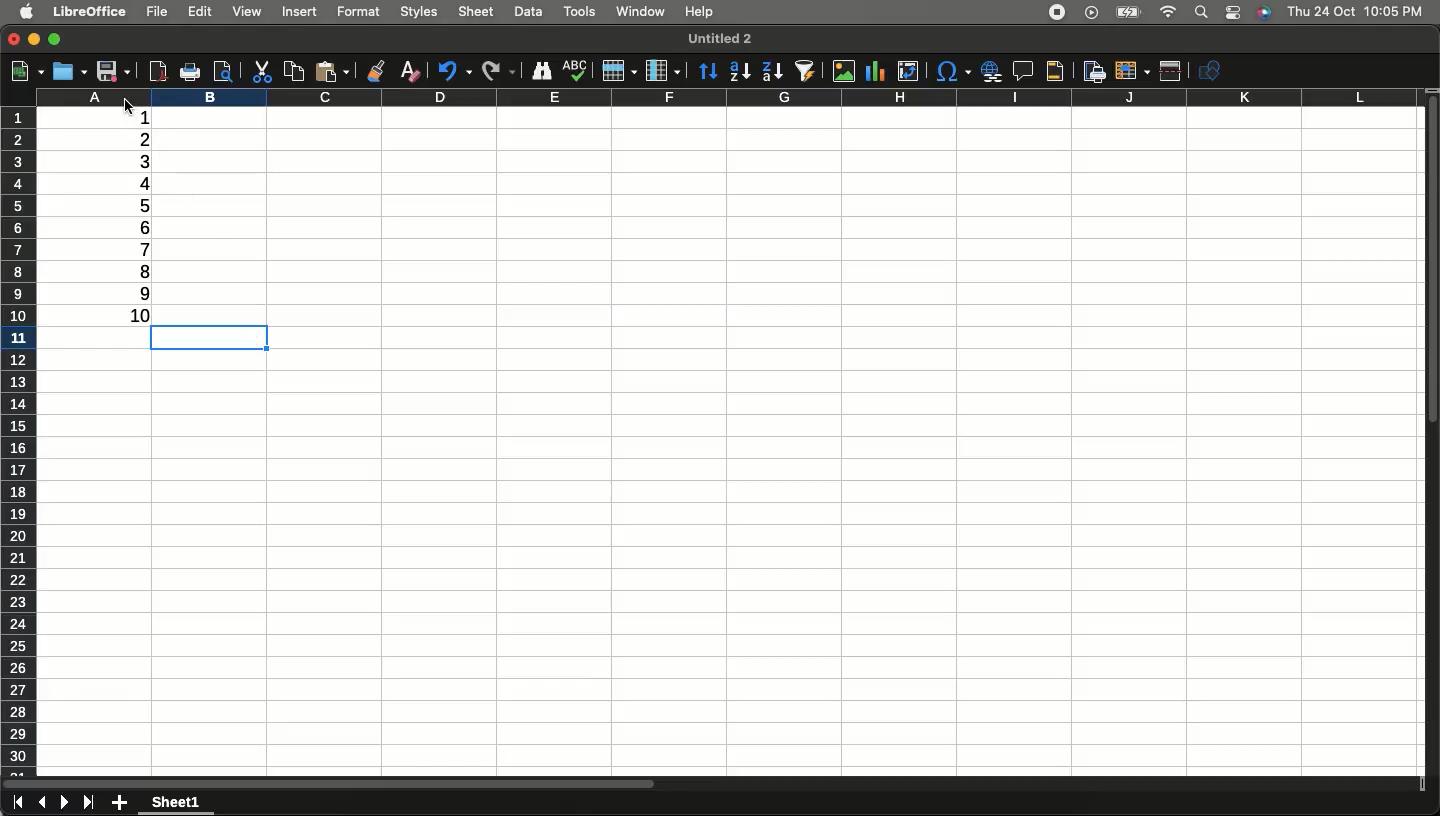  What do you see at coordinates (1054, 72) in the screenshot?
I see `Headers and footers` at bounding box center [1054, 72].